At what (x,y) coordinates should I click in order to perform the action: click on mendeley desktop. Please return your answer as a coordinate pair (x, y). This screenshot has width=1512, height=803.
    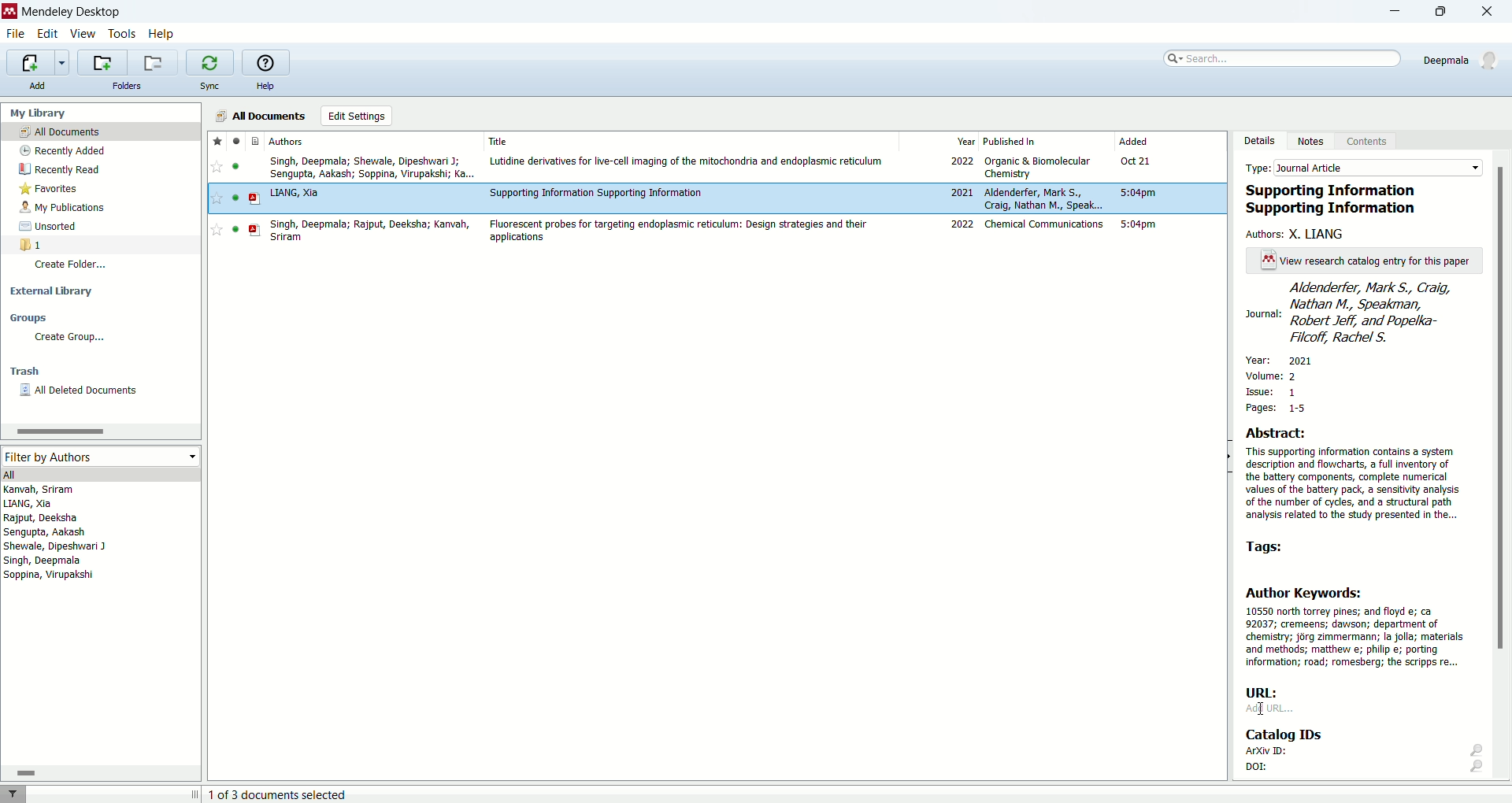
    Looking at the image, I should click on (71, 12).